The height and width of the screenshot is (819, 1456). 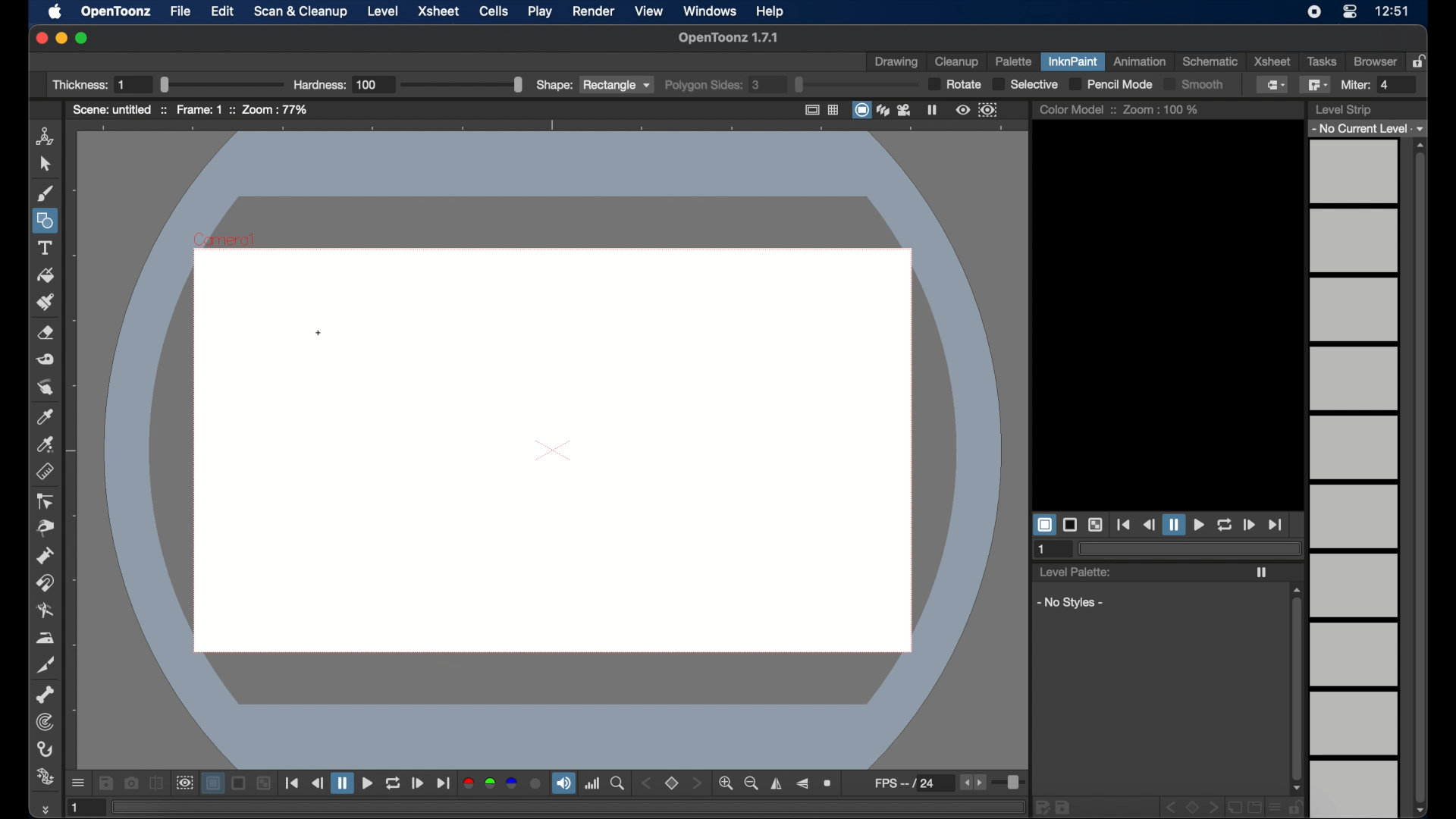 What do you see at coordinates (119, 109) in the screenshot?
I see `scene: untitled` at bounding box center [119, 109].